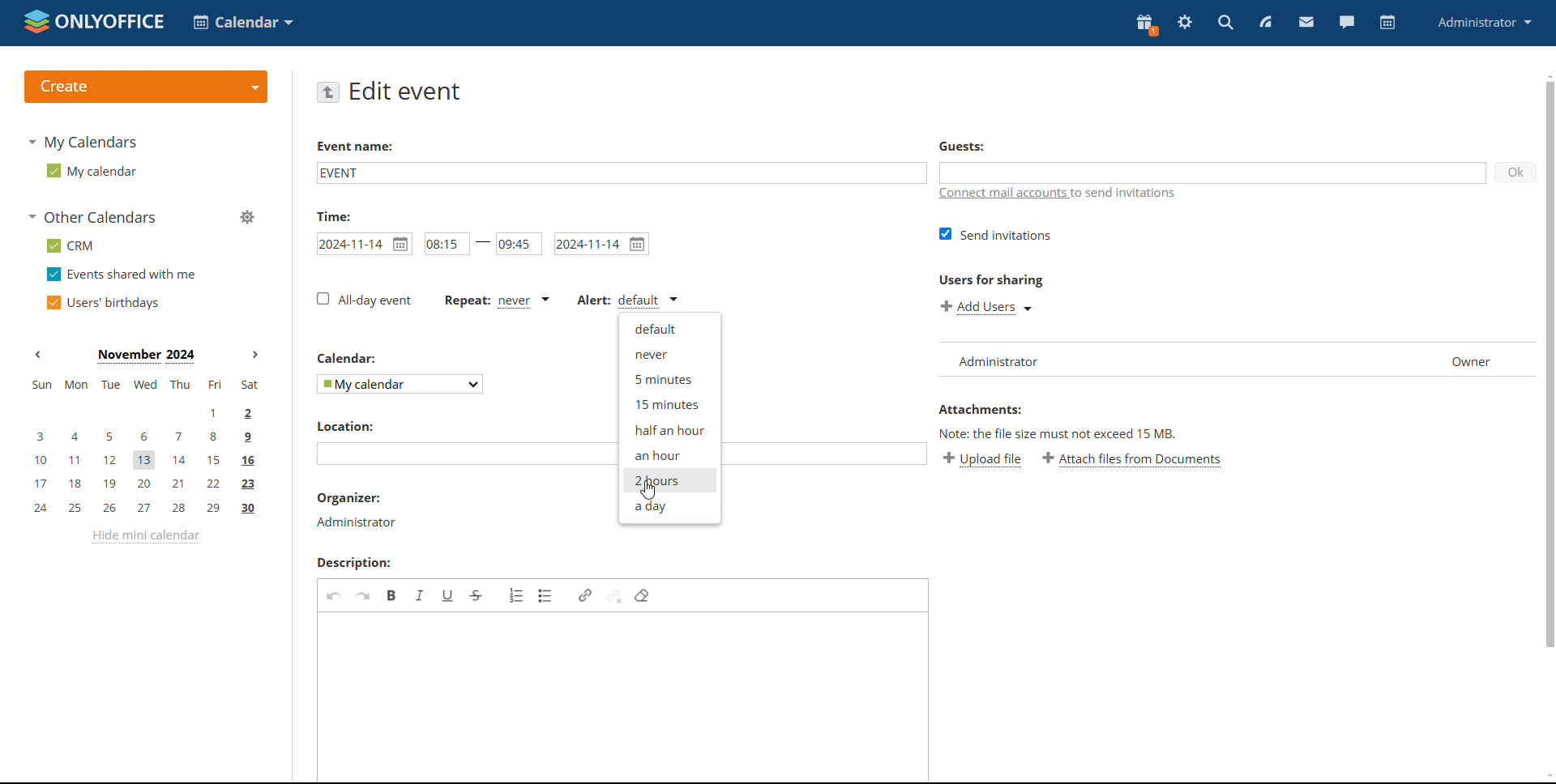 This screenshot has height=784, width=1556. Describe the element at coordinates (669, 403) in the screenshot. I see `15 minutes` at that location.